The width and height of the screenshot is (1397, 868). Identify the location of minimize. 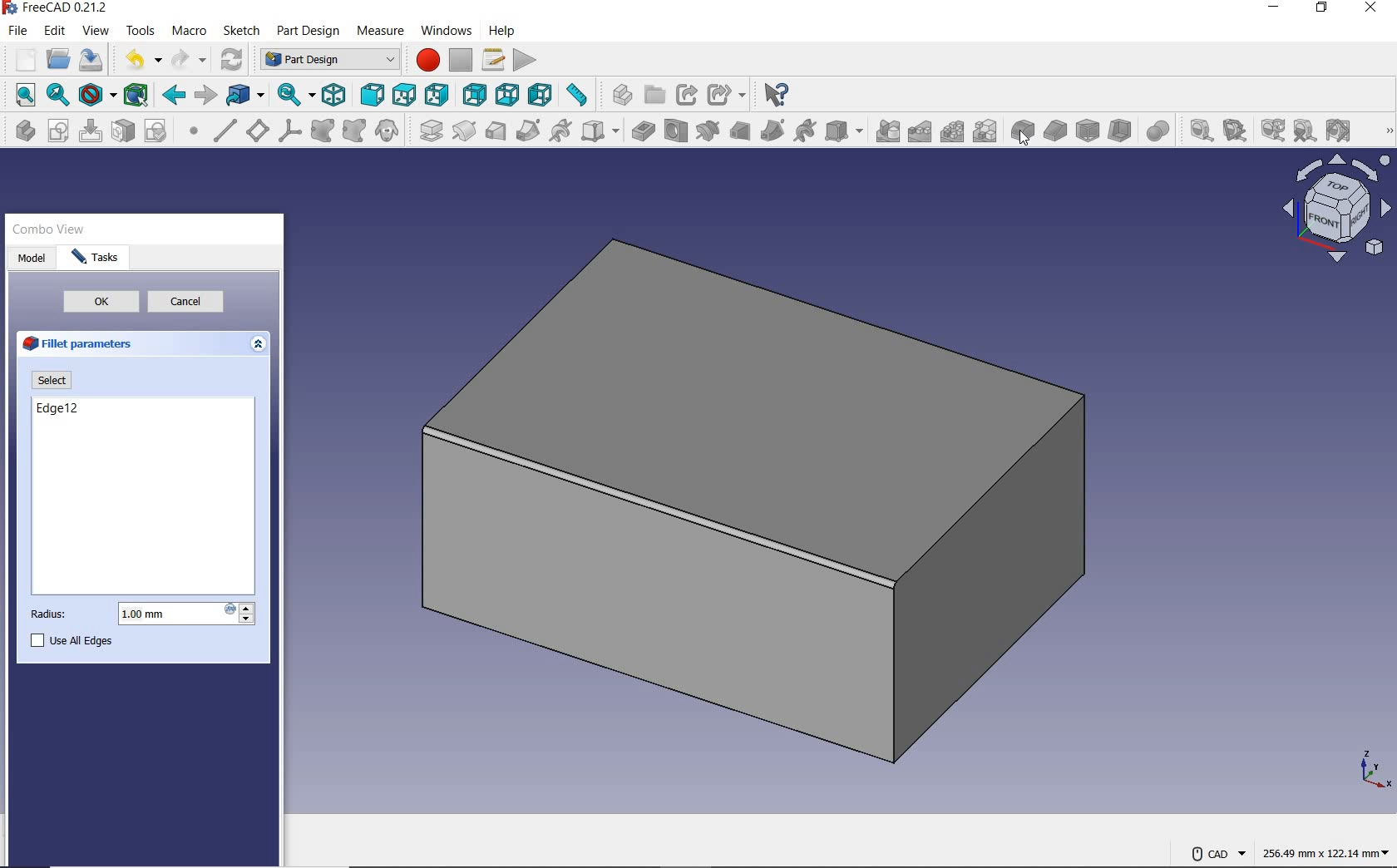
(1273, 7).